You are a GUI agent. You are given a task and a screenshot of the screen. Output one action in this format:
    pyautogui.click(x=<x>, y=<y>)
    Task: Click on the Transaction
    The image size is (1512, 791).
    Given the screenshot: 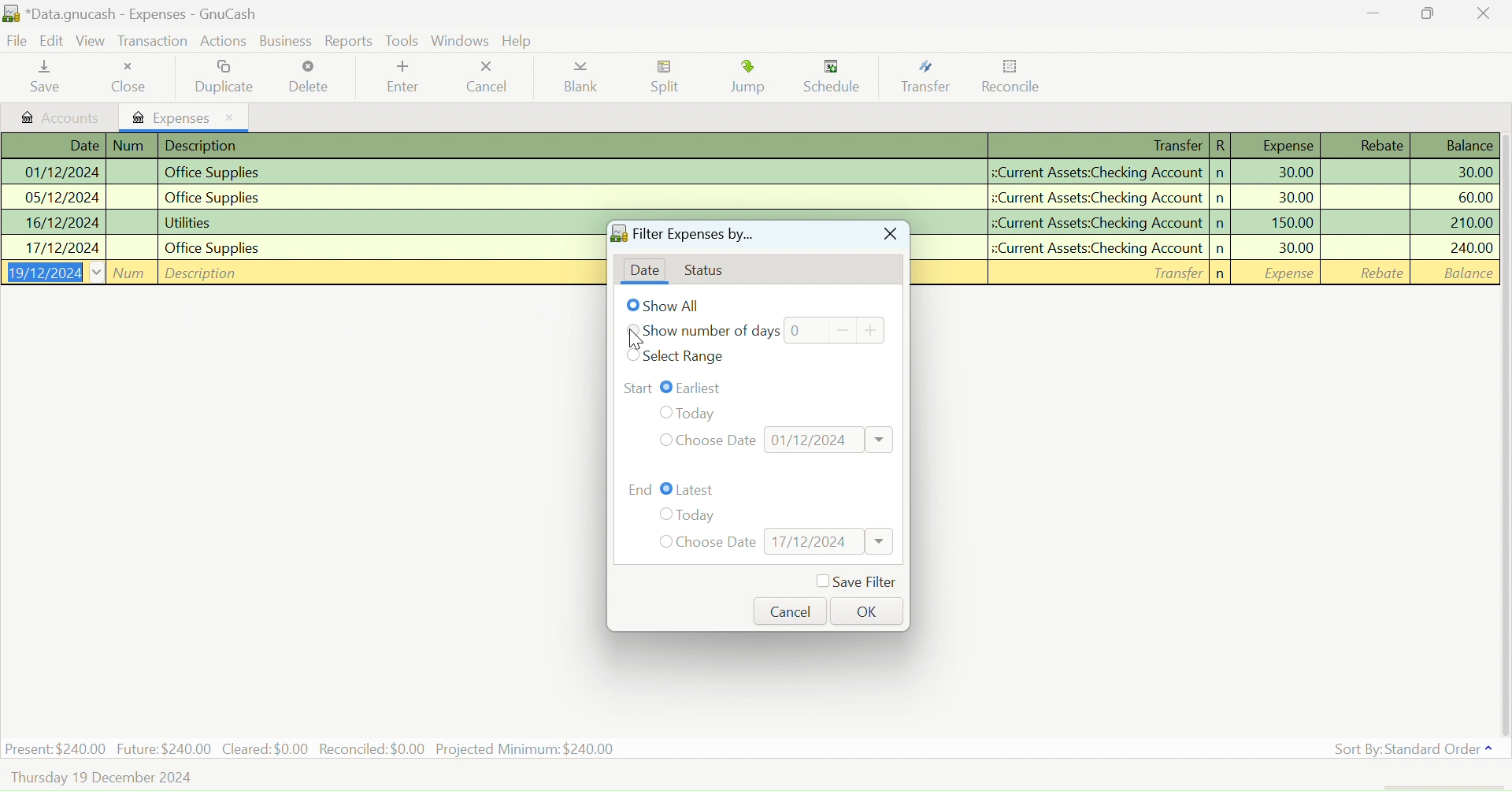 What is the action you would take?
    pyautogui.click(x=152, y=42)
    